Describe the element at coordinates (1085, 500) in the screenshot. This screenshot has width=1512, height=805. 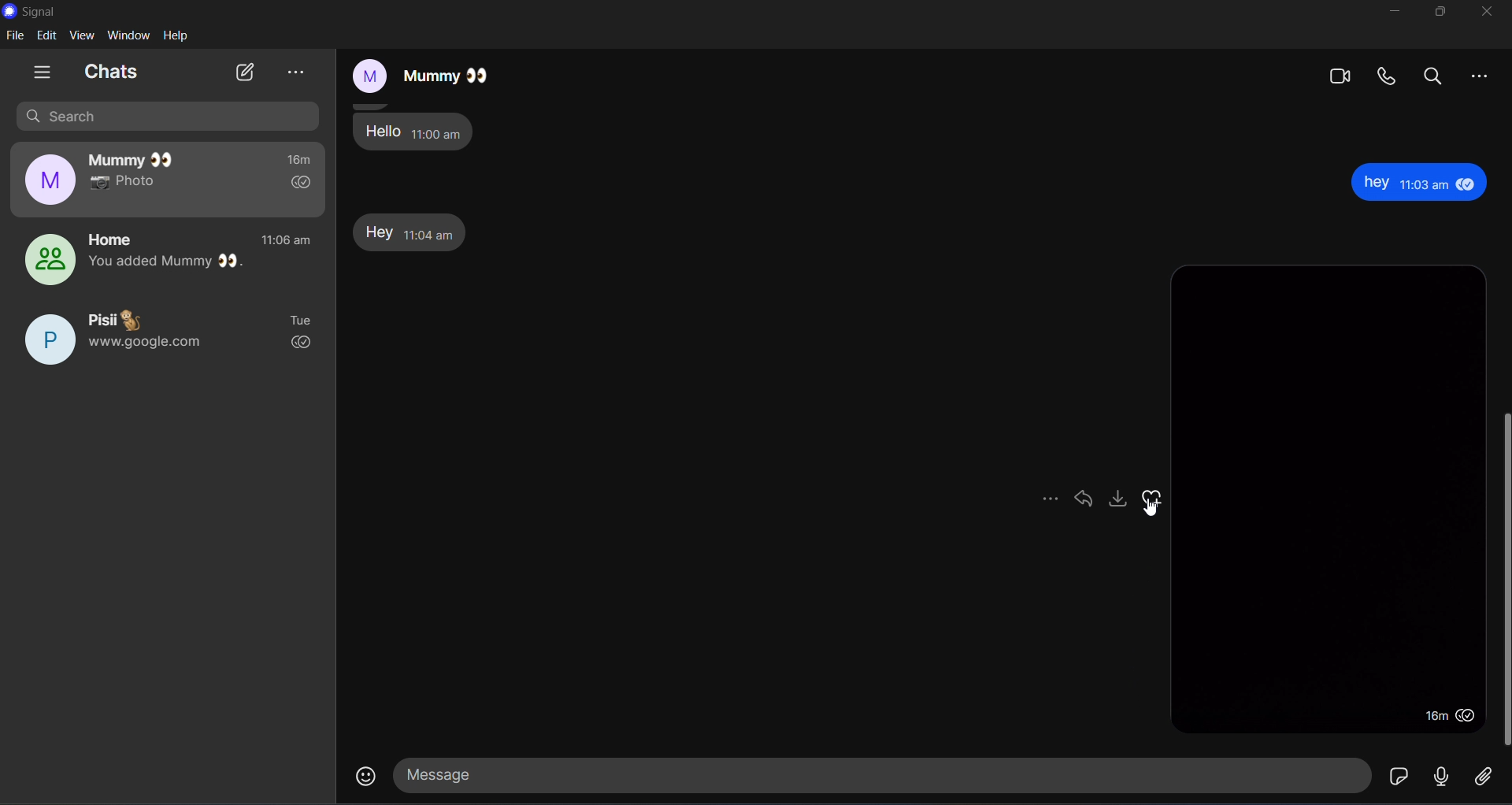
I see `tag` at that location.